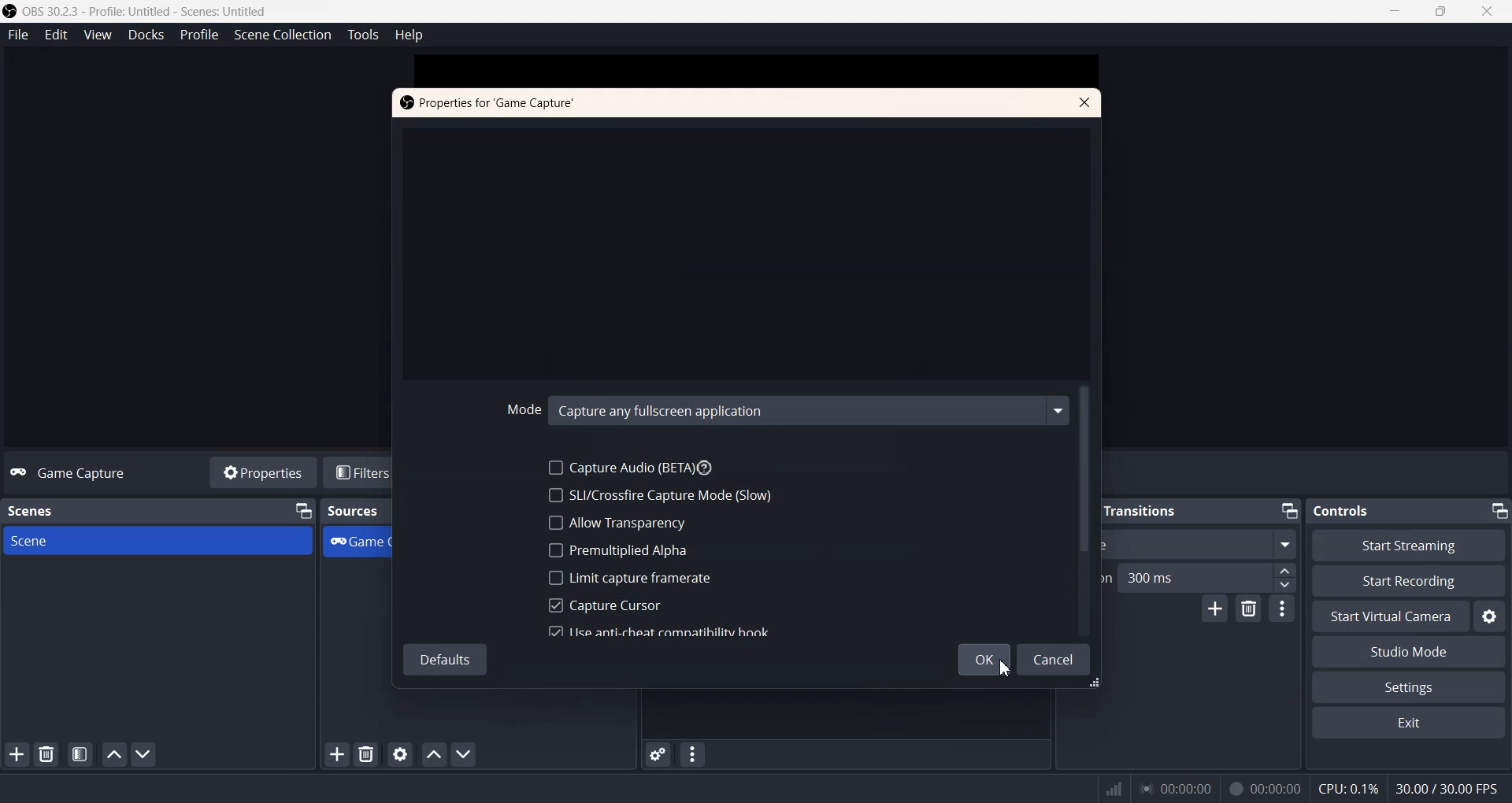  Describe the element at coordinates (1392, 12) in the screenshot. I see `Minimize` at that location.